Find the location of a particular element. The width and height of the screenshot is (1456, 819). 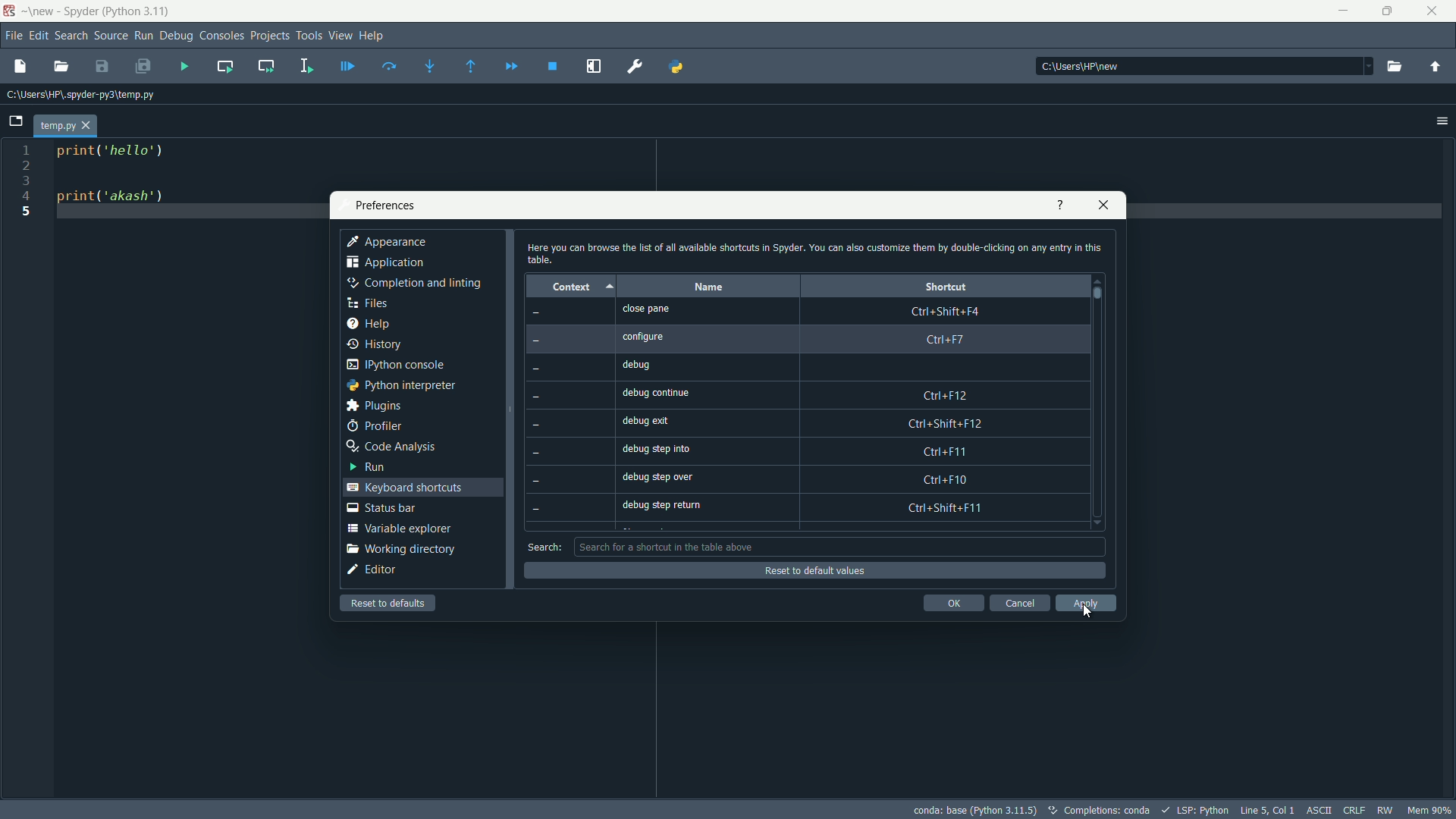

search bar is located at coordinates (837, 547).